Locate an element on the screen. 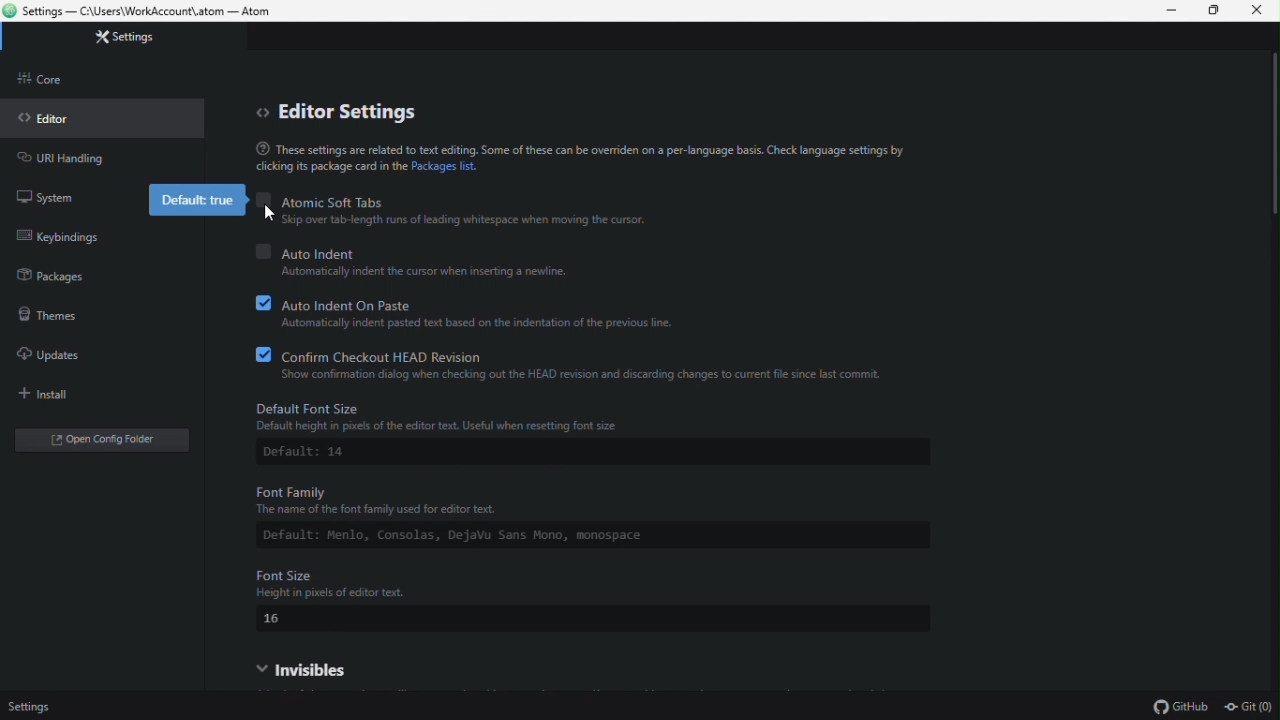 This screenshot has height=720, width=1280.  Settings — C:\Users\WorkAccount\.atom — Atom is located at coordinates (144, 11).